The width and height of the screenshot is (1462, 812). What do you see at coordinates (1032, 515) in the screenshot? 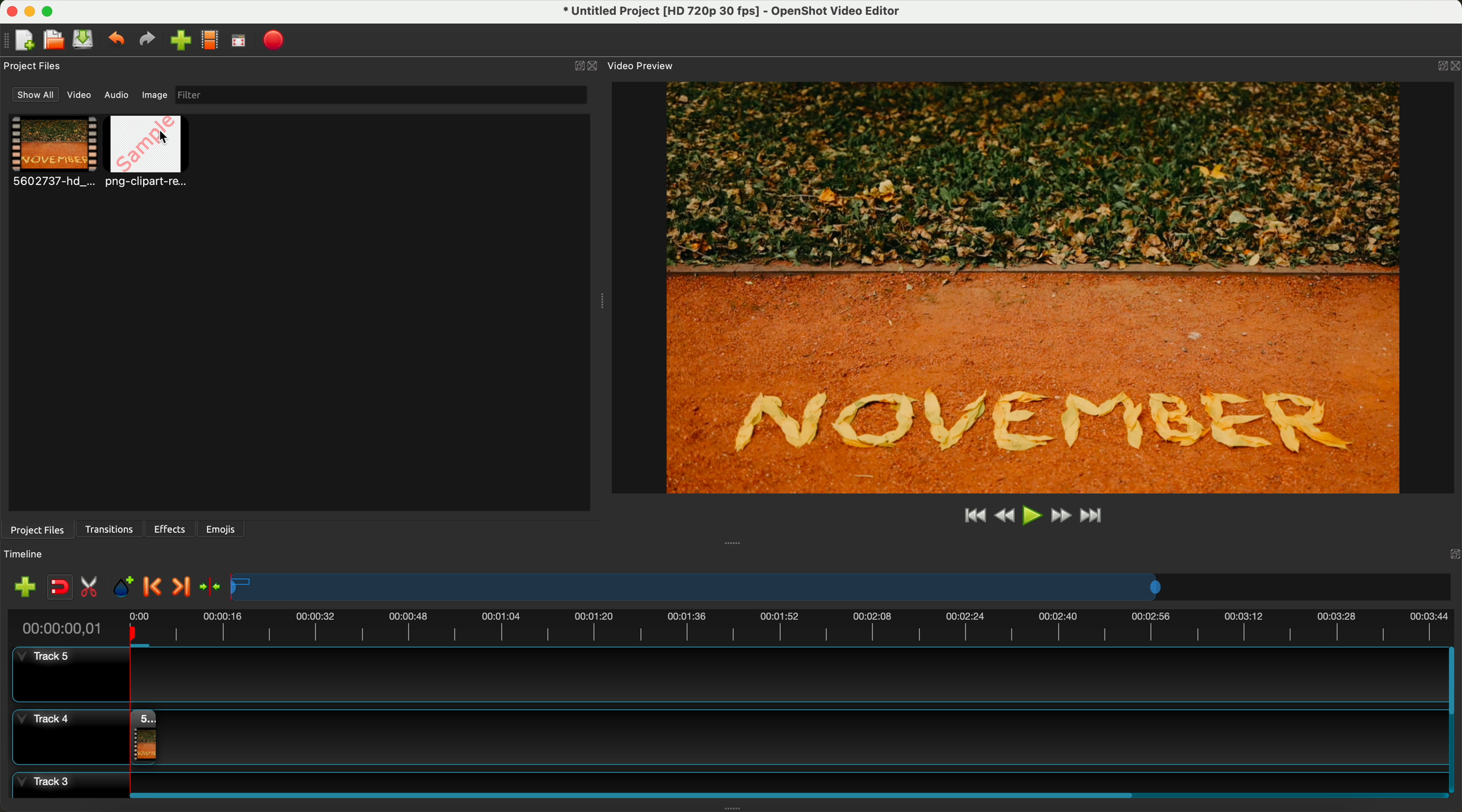
I see `play` at bounding box center [1032, 515].